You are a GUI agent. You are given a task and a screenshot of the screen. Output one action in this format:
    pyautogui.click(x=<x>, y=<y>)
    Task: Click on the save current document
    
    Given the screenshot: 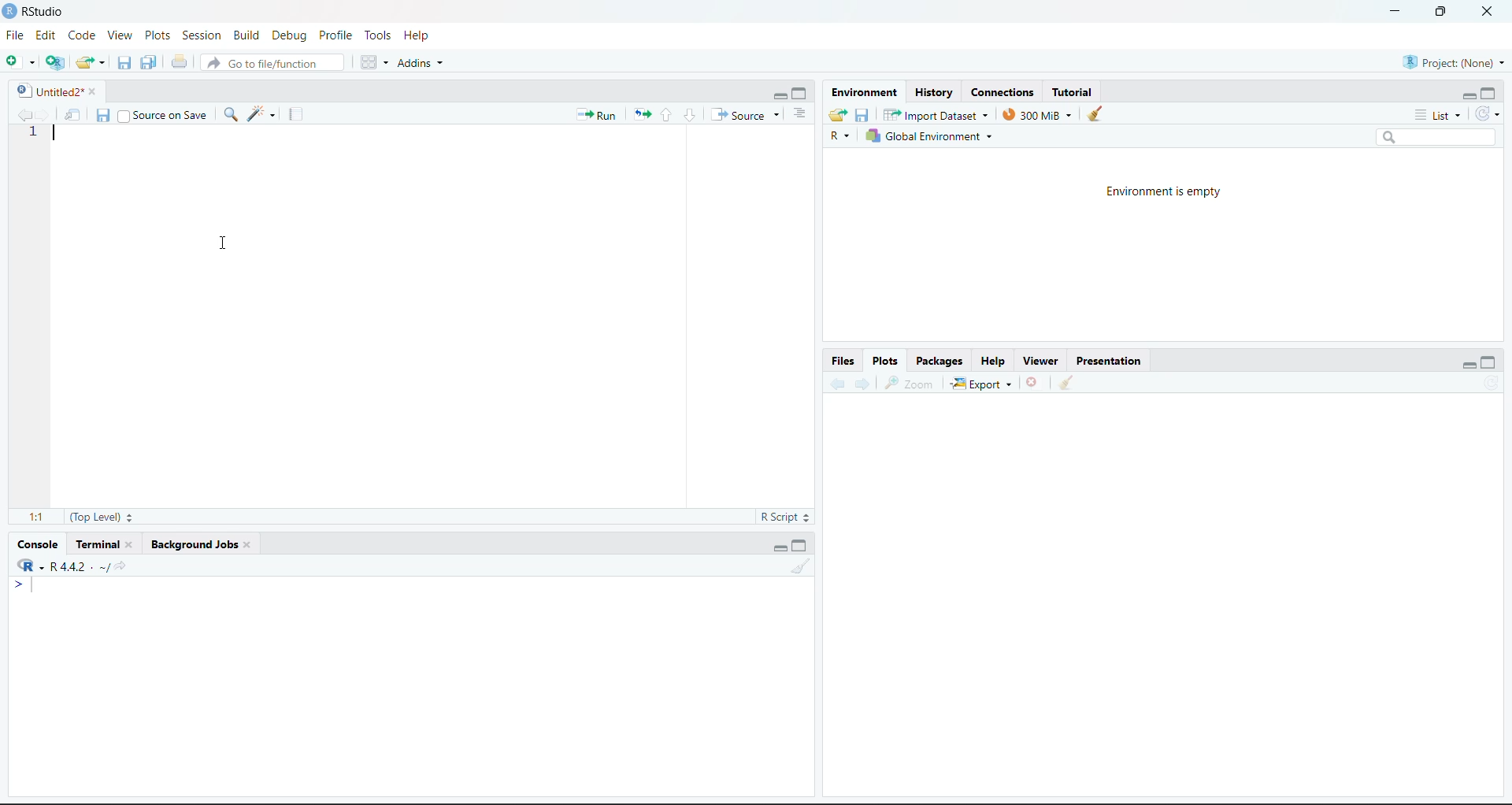 What is the action you would take?
    pyautogui.click(x=102, y=114)
    